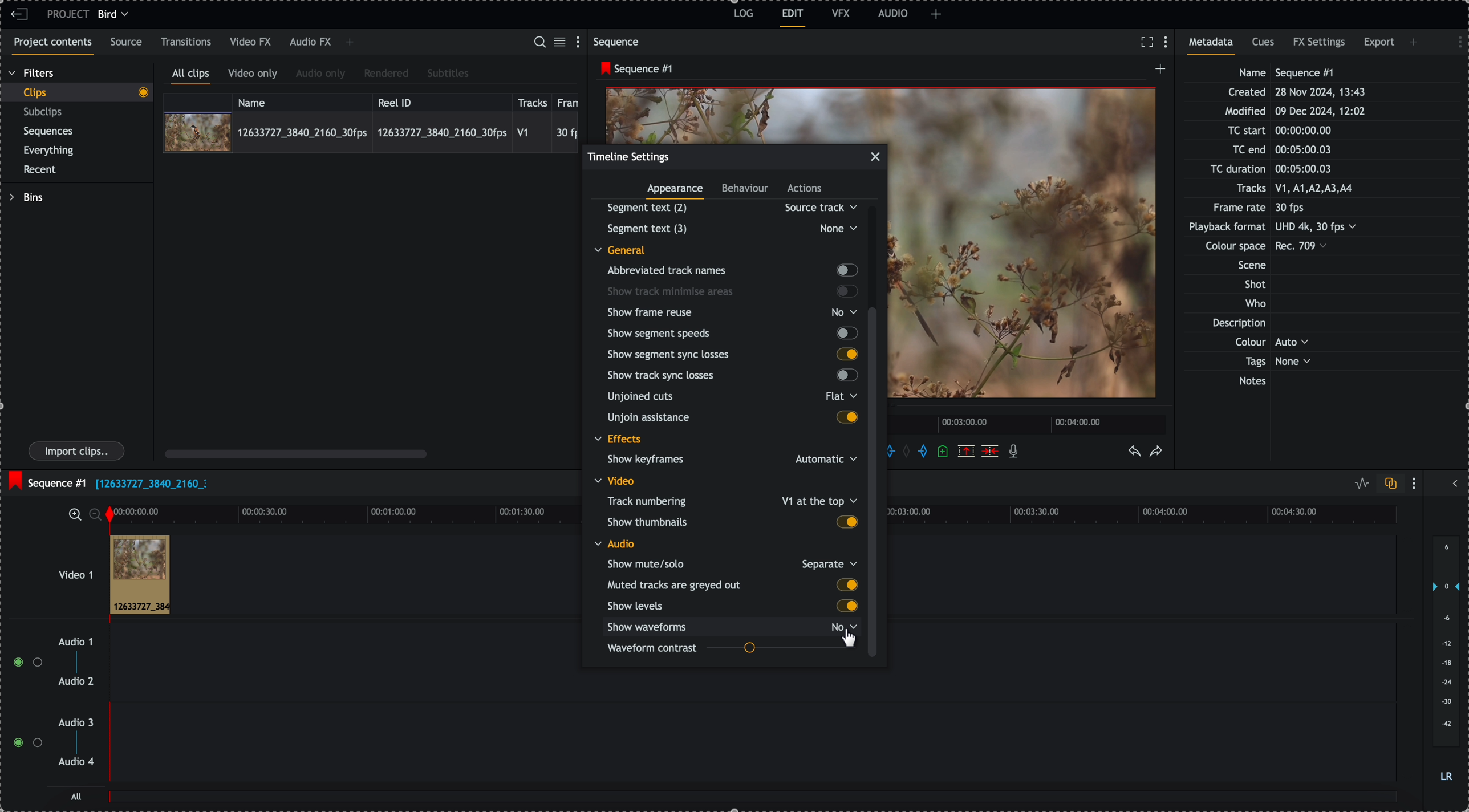  What do you see at coordinates (876, 383) in the screenshot?
I see `click on scroll bar` at bounding box center [876, 383].